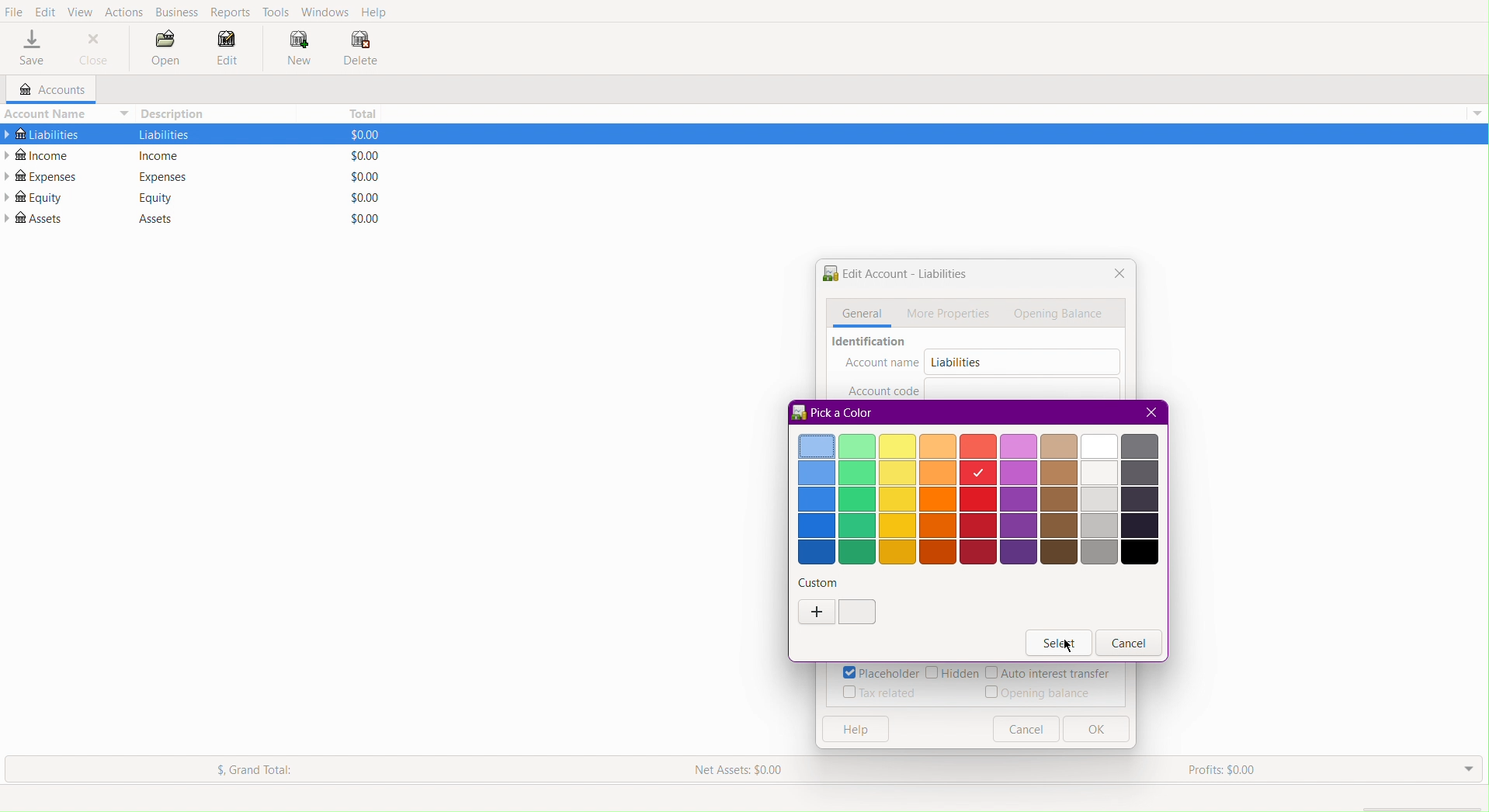 The height and width of the screenshot is (812, 1489). What do you see at coordinates (36, 218) in the screenshot?
I see `Assets` at bounding box center [36, 218].